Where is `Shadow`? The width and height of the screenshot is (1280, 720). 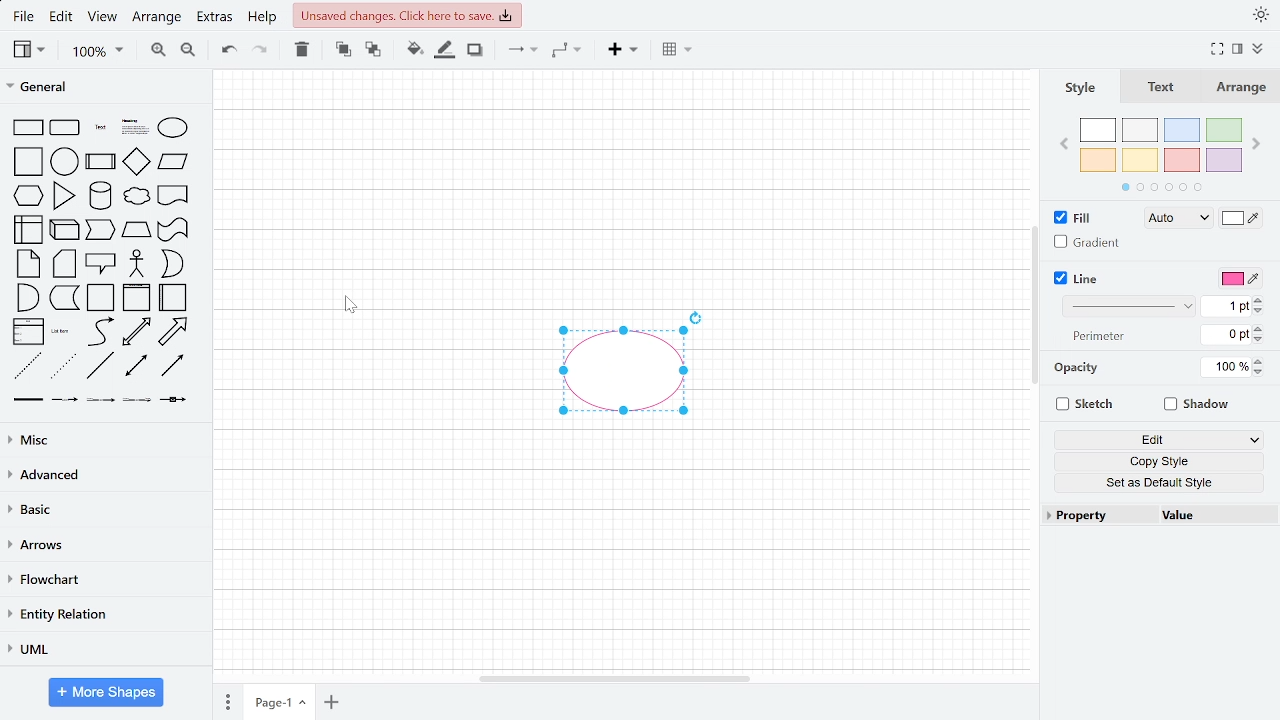 Shadow is located at coordinates (1194, 405).